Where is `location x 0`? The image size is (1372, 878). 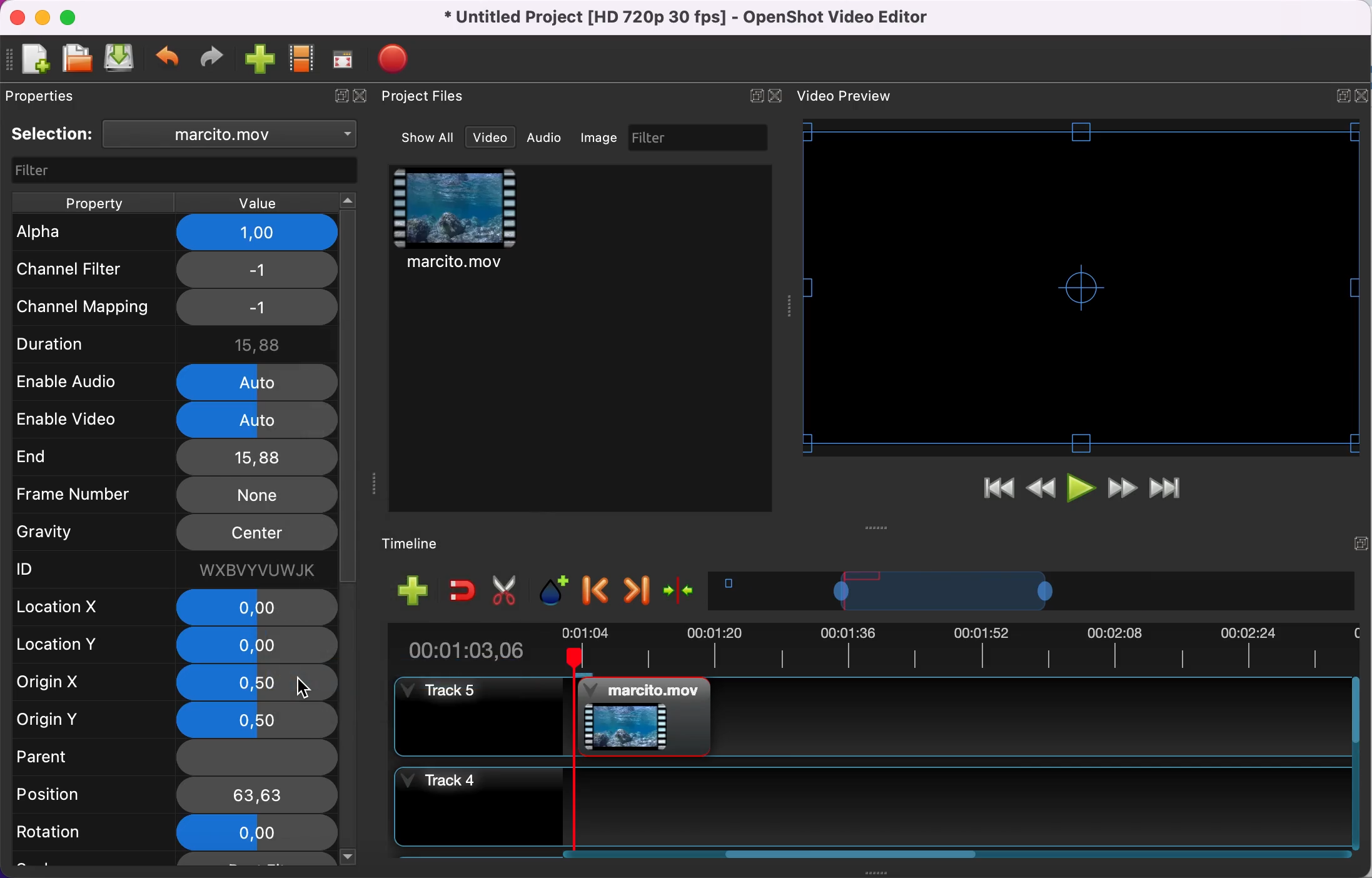 location x 0 is located at coordinates (176, 608).